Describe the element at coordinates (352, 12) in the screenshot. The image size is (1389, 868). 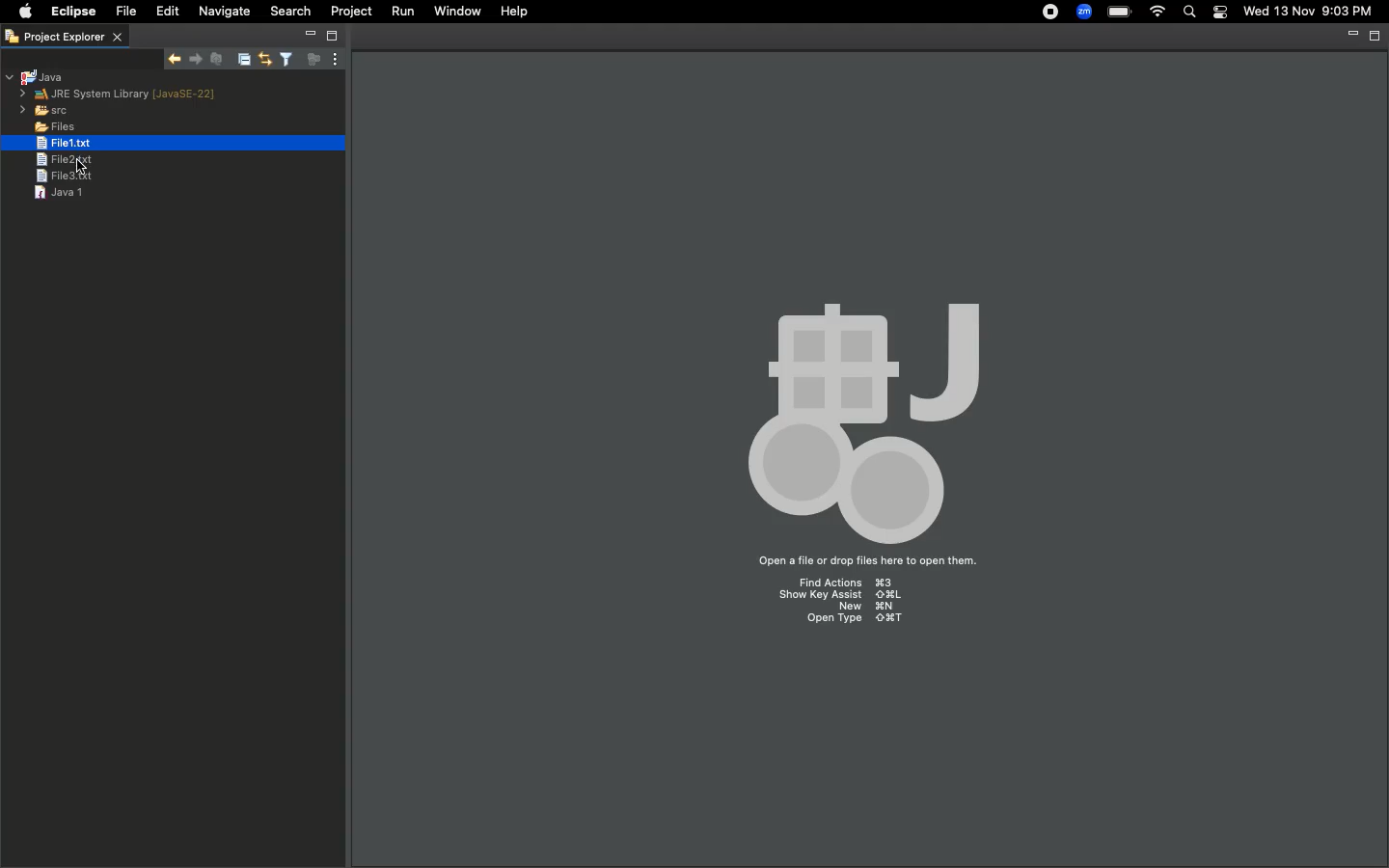
I see `Project` at that location.